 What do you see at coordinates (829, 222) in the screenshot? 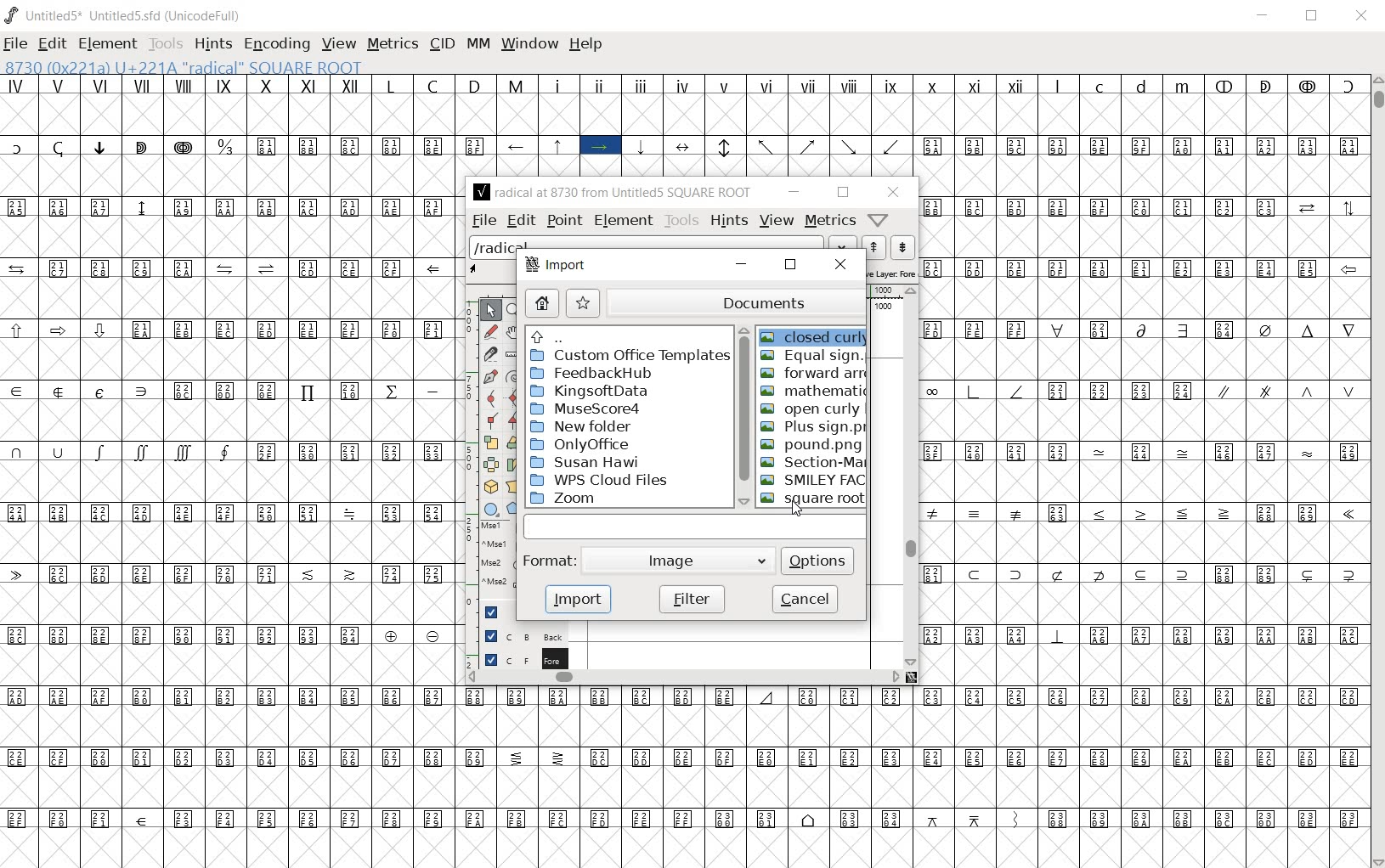
I see `metrics` at bounding box center [829, 222].